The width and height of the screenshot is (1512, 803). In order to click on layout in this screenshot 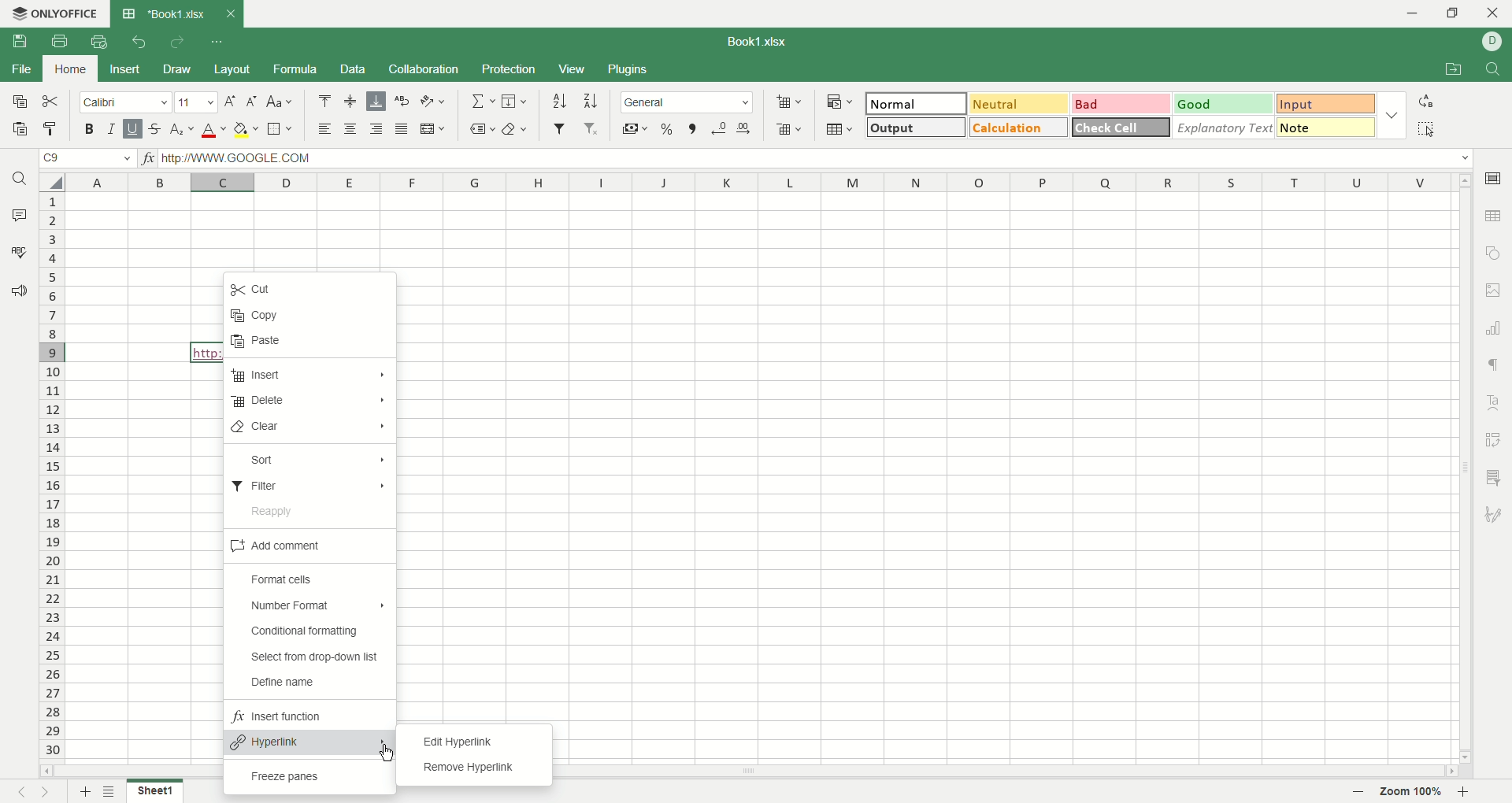, I will do `click(229, 70)`.